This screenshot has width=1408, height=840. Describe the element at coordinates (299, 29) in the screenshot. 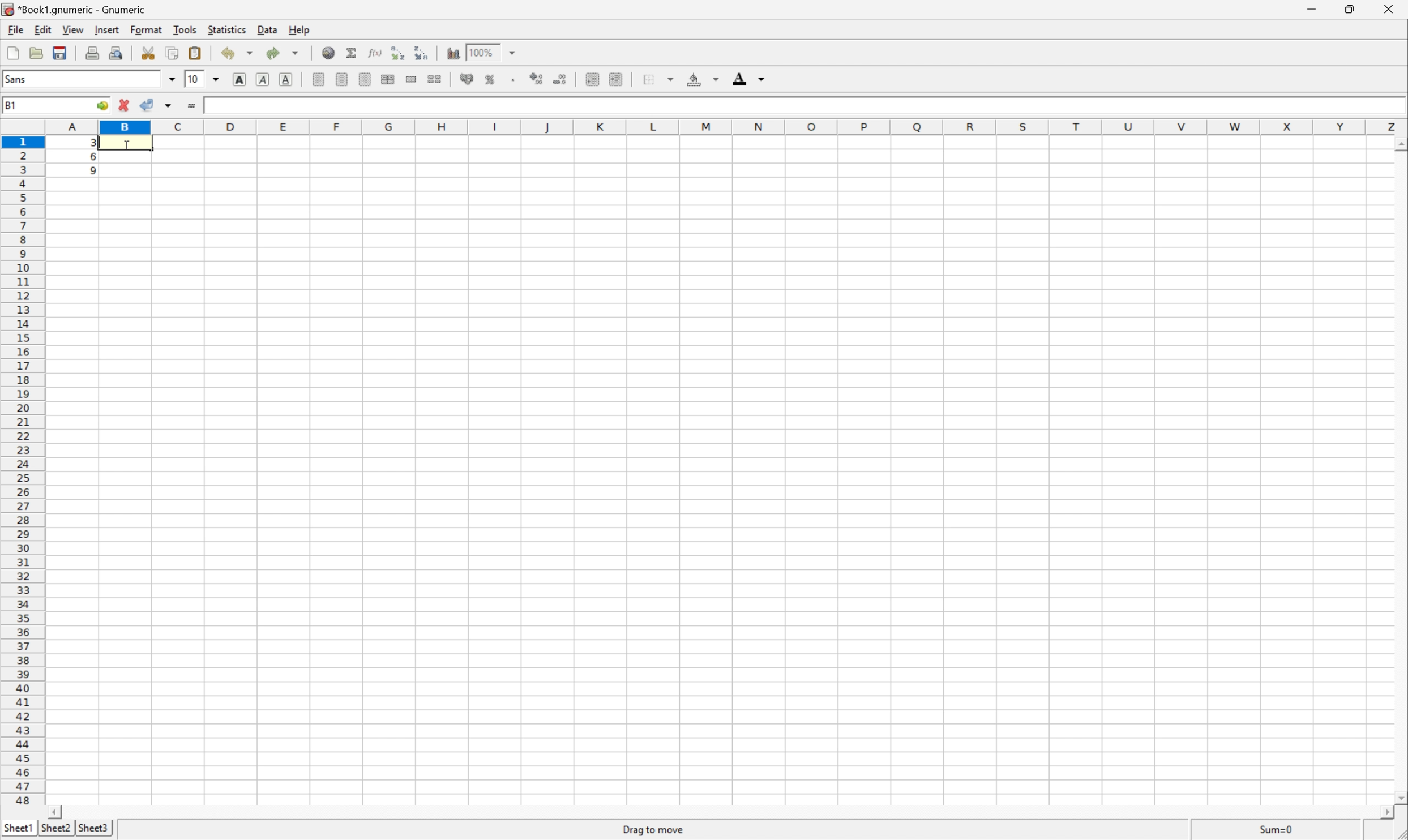

I see `Help` at that location.